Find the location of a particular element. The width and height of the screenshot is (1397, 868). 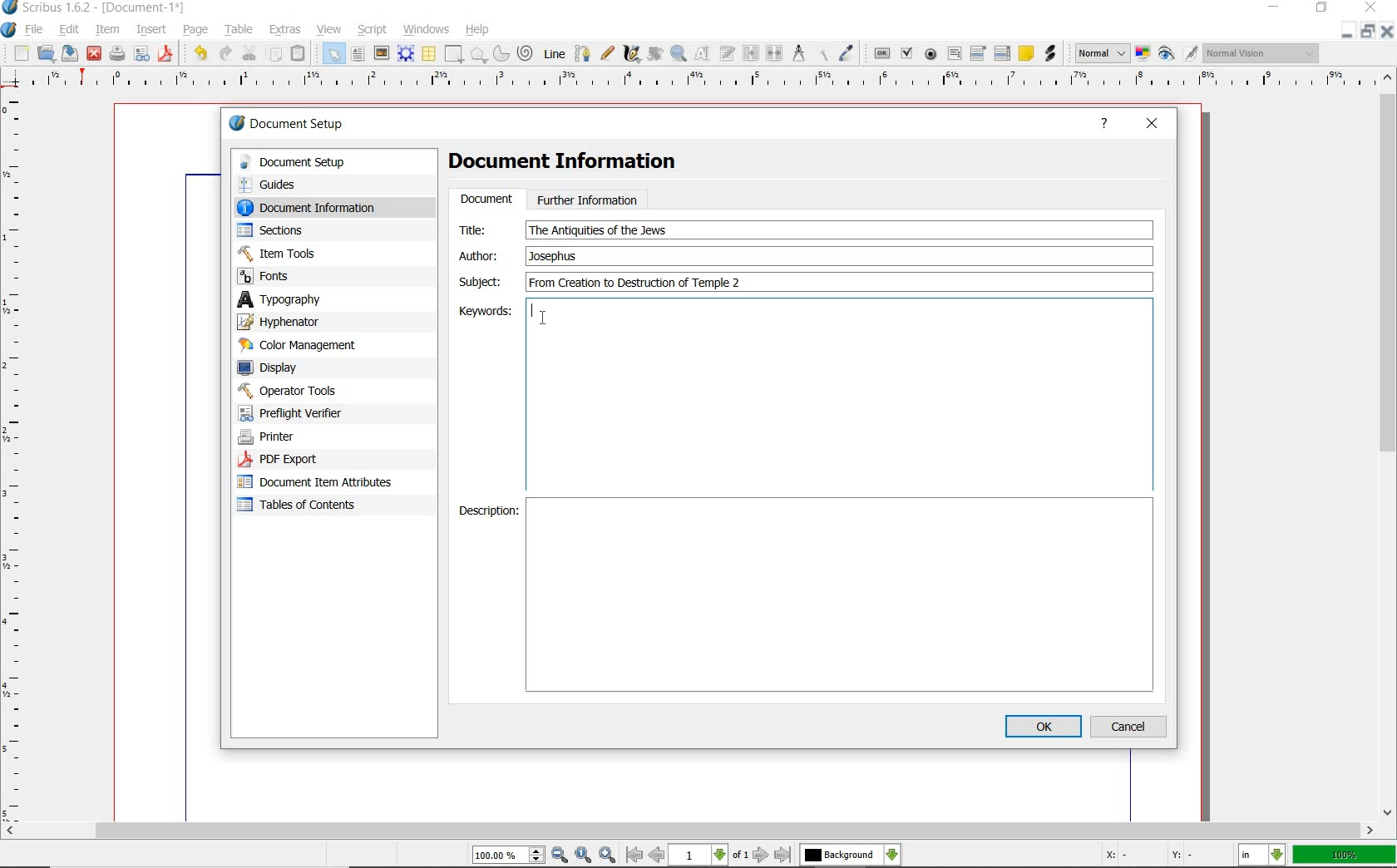

visual appearance of the display is located at coordinates (1262, 52).